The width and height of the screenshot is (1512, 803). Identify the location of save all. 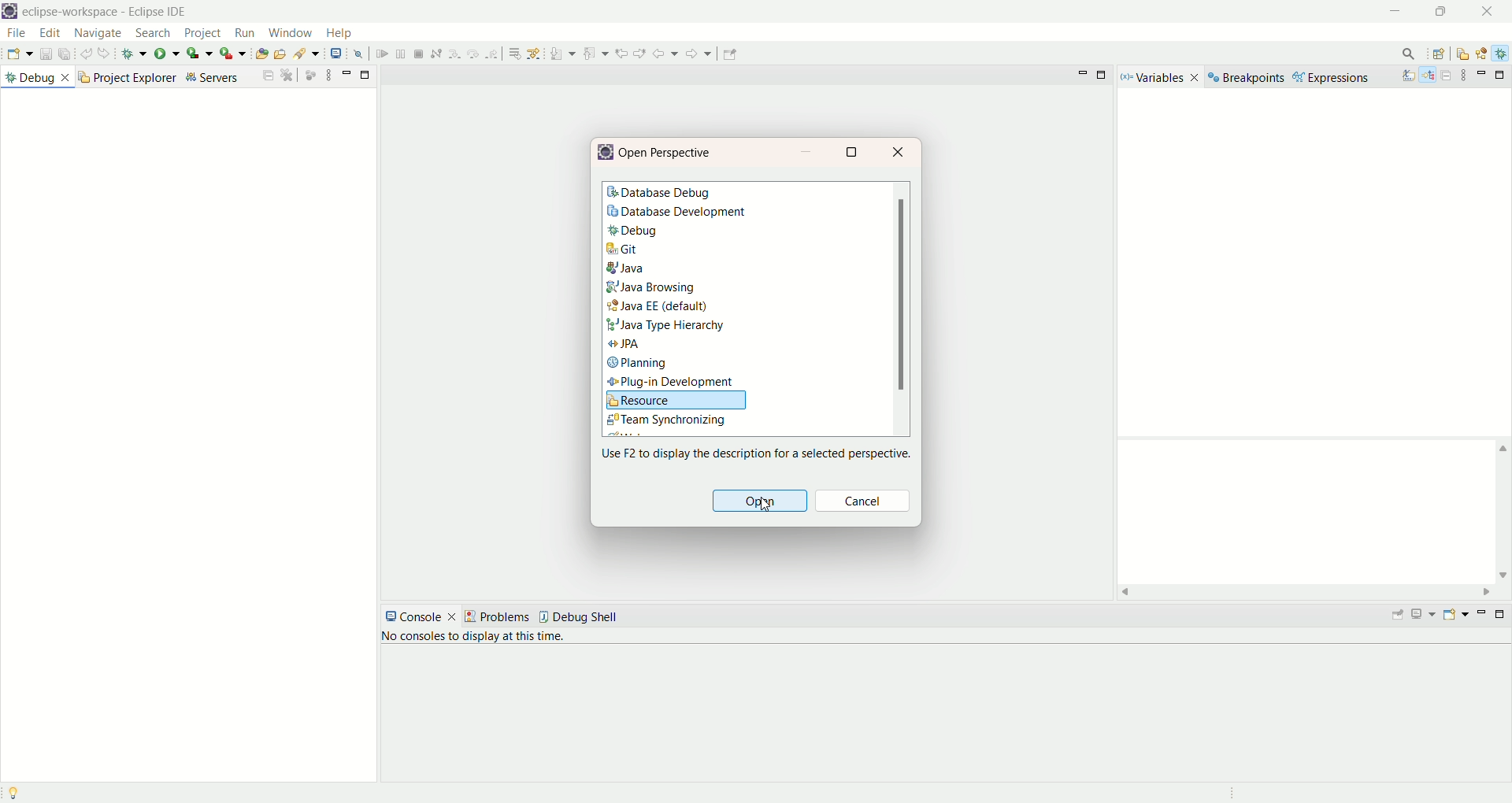
(65, 54).